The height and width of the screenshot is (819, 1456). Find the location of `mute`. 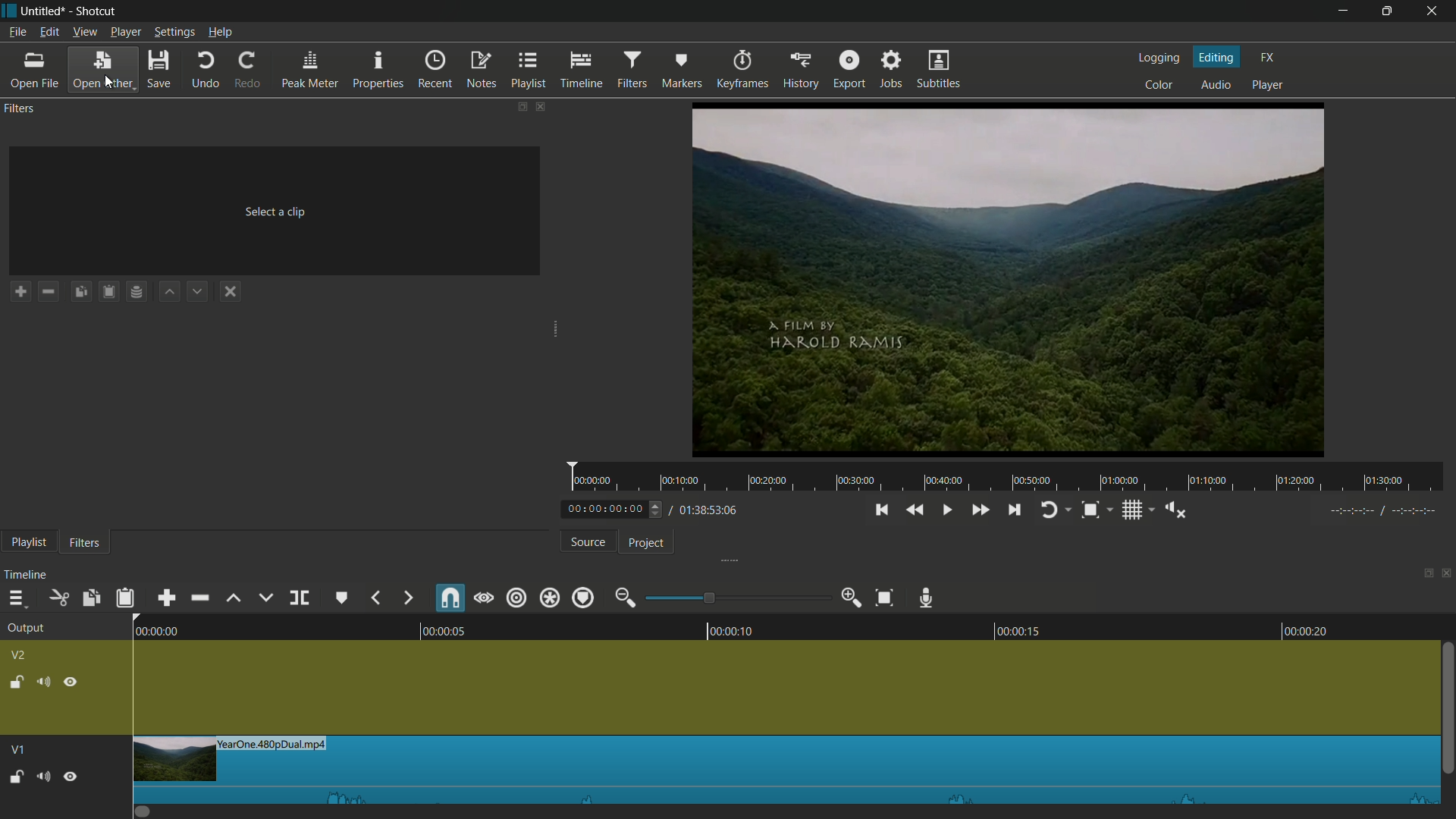

mute is located at coordinates (42, 681).